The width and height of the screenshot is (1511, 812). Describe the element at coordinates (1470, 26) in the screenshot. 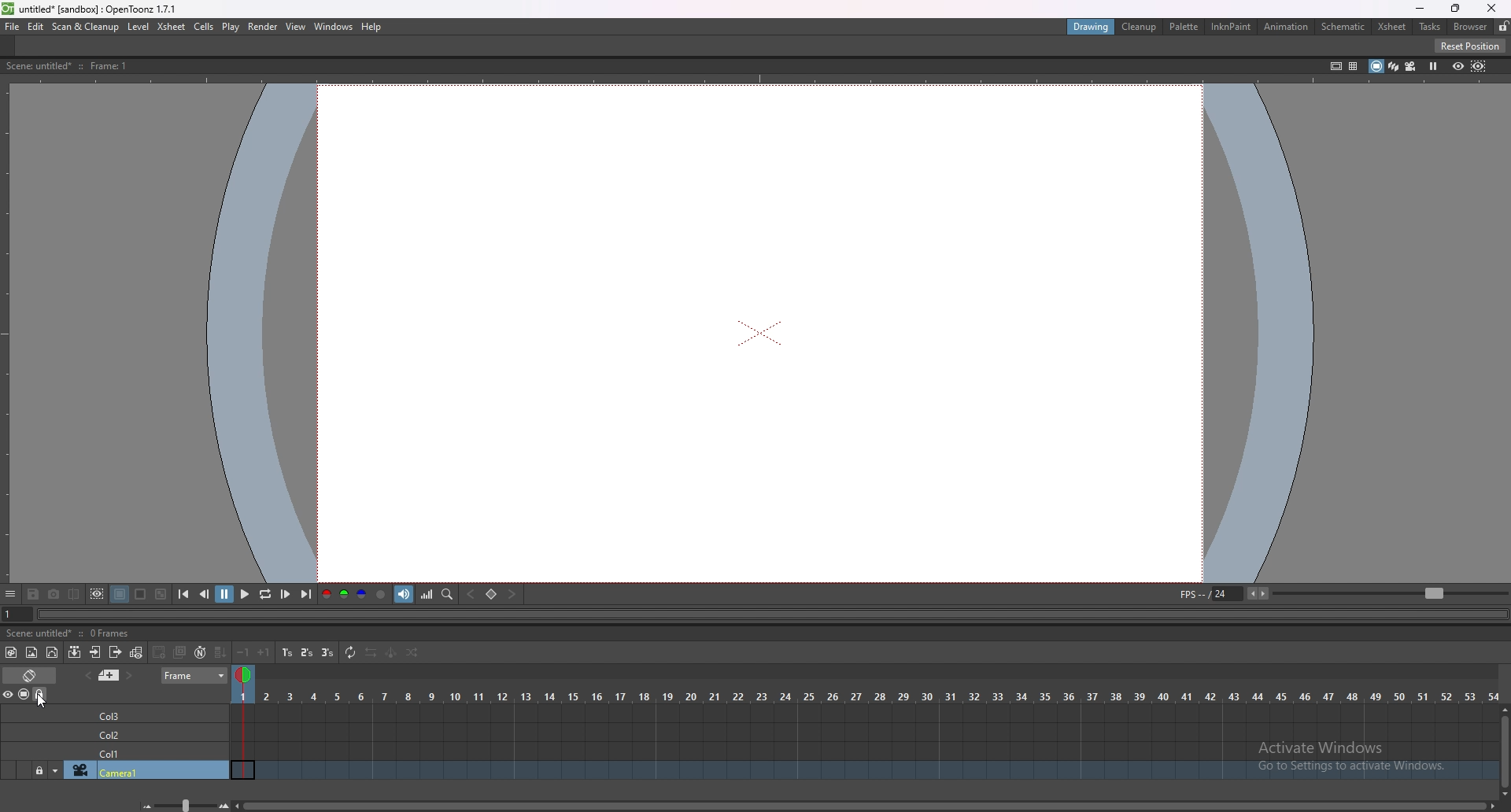

I see `browser` at that location.